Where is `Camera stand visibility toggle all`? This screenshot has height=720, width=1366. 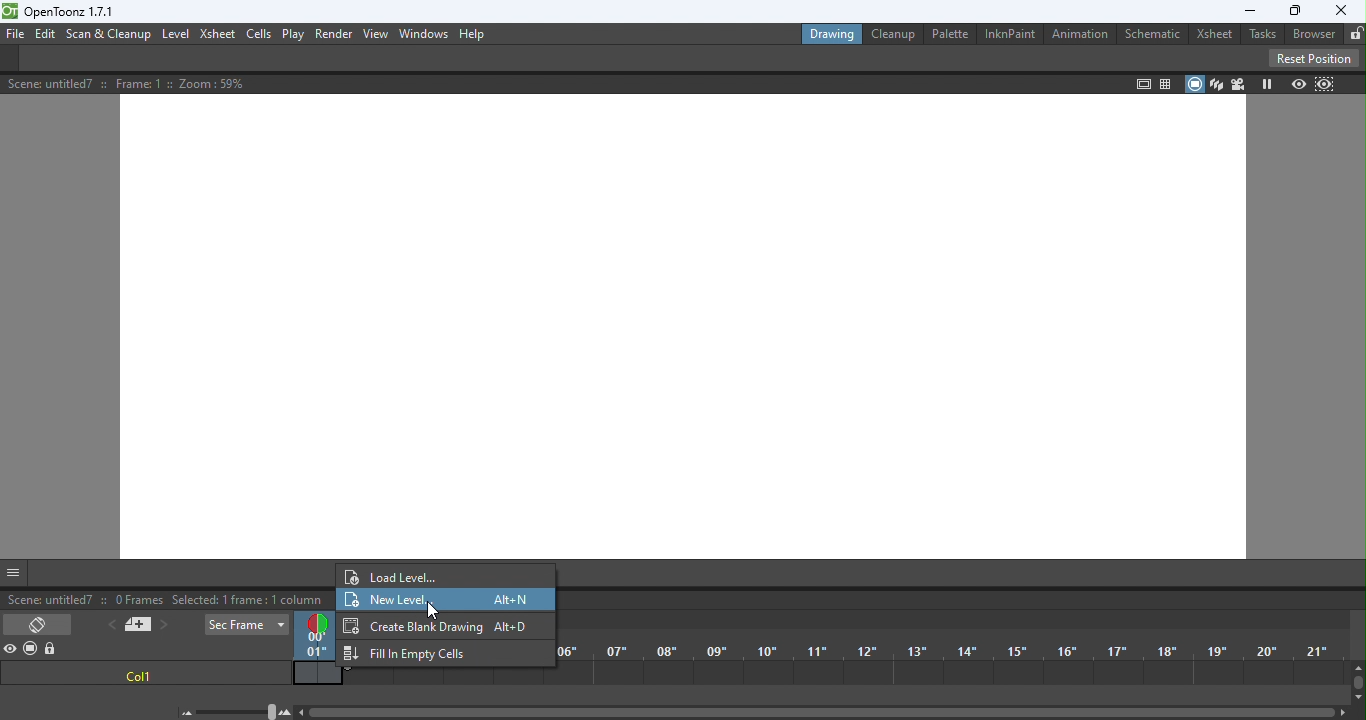
Camera stand visibility toggle all is located at coordinates (32, 649).